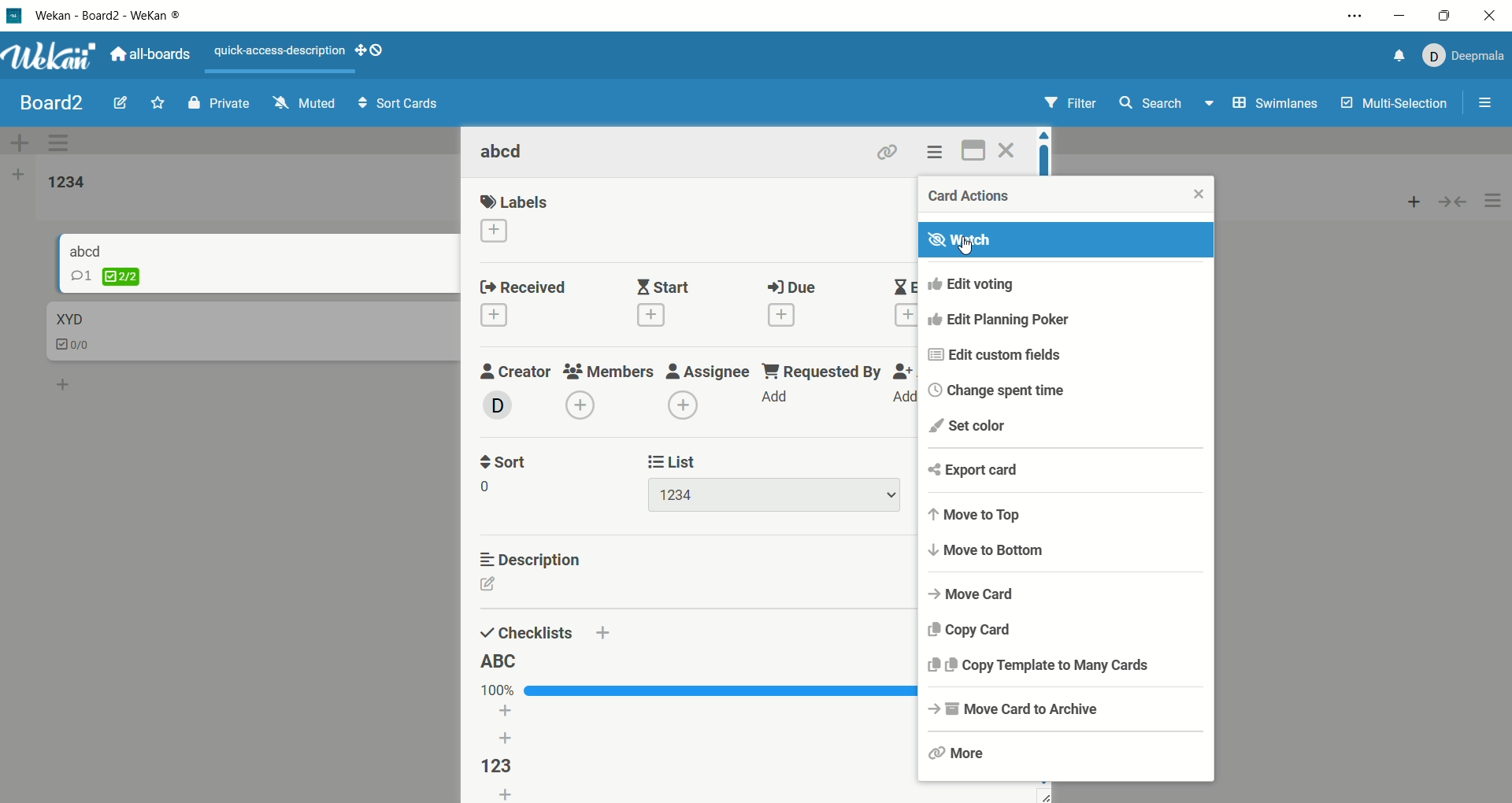 The height and width of the screenshot is (803, 1512). What do you see at coordinates (662, 303) in the screenshot?
I see `start` at bounding box center [662, 303].